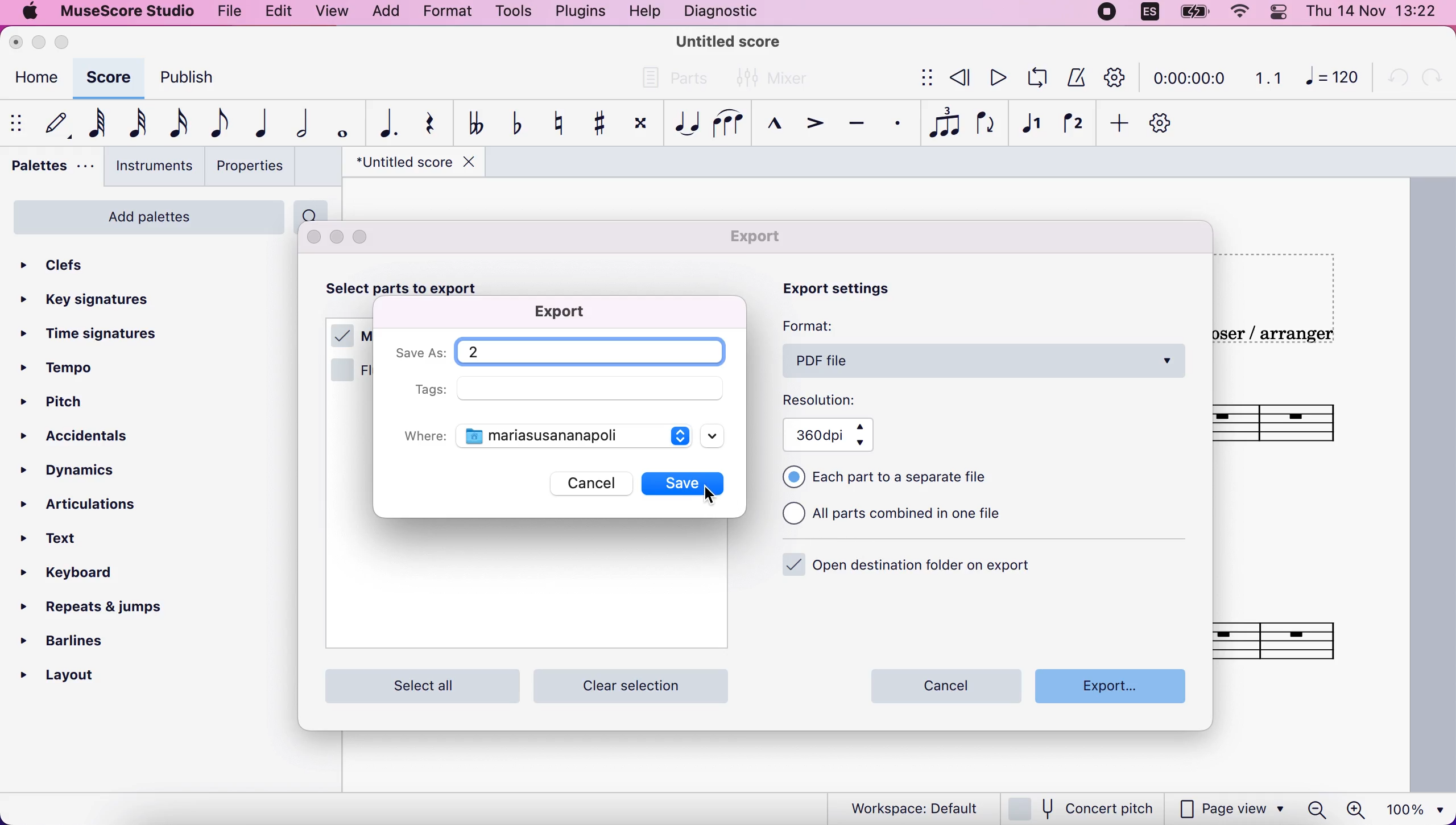 The height and width of the screenshot is (825, 1456). Describe the element at coordinates (596, 122) in the screenshot. I see `toggle sharp` at that location.